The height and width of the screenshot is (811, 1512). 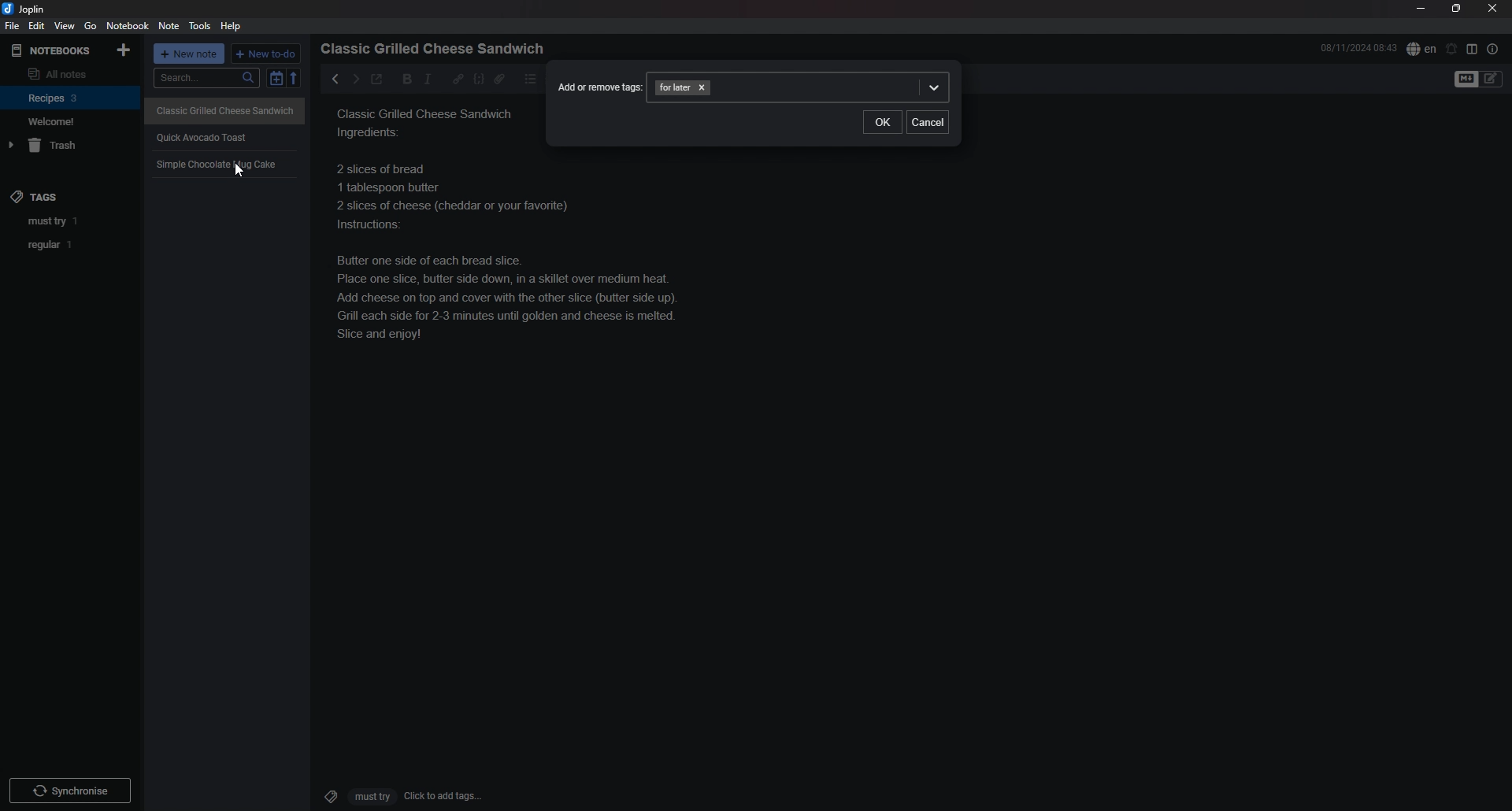 I want to click on heading, so click(x=437, y=49).